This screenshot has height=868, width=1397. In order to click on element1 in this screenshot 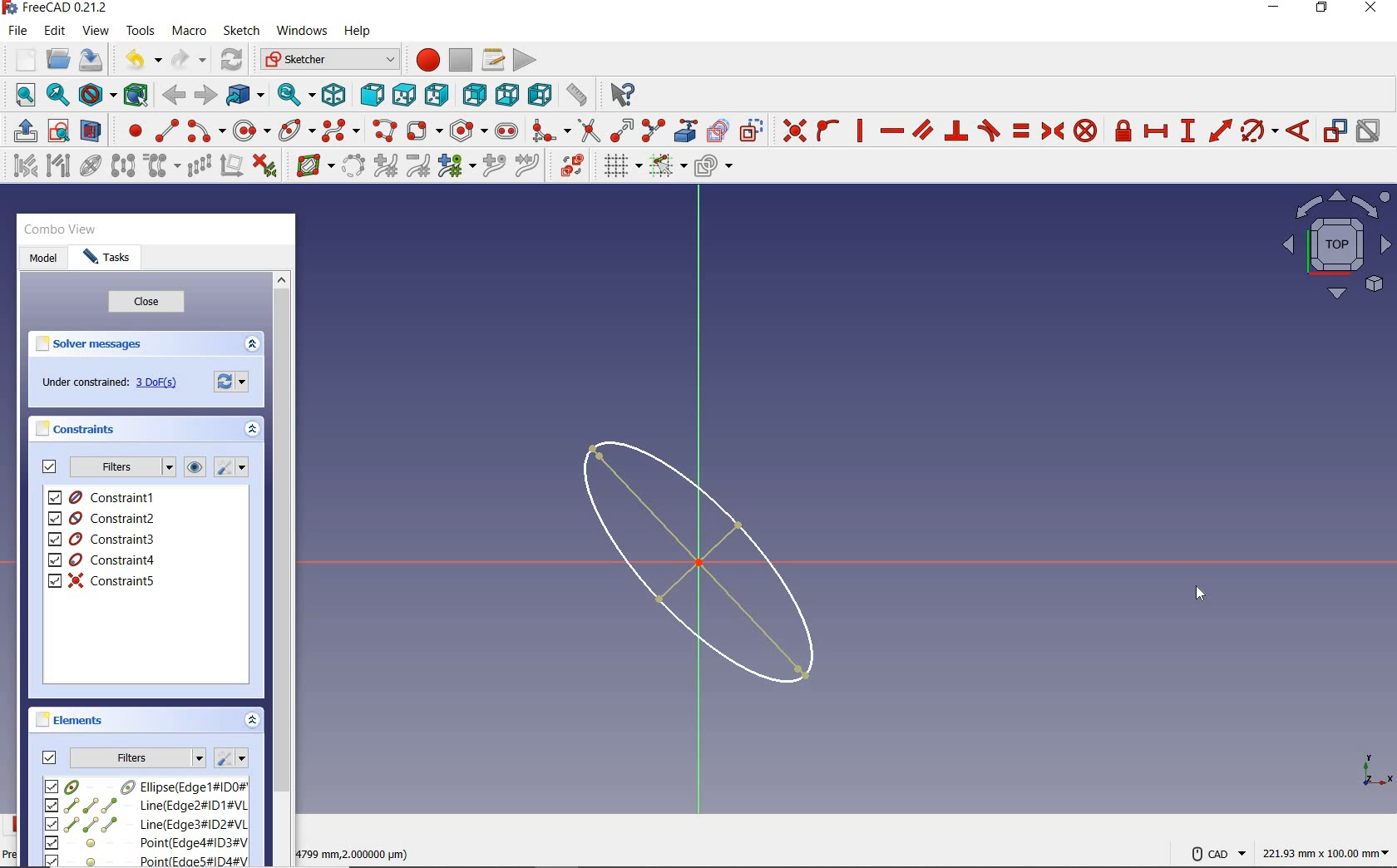, I will do `click(144, 786)`.